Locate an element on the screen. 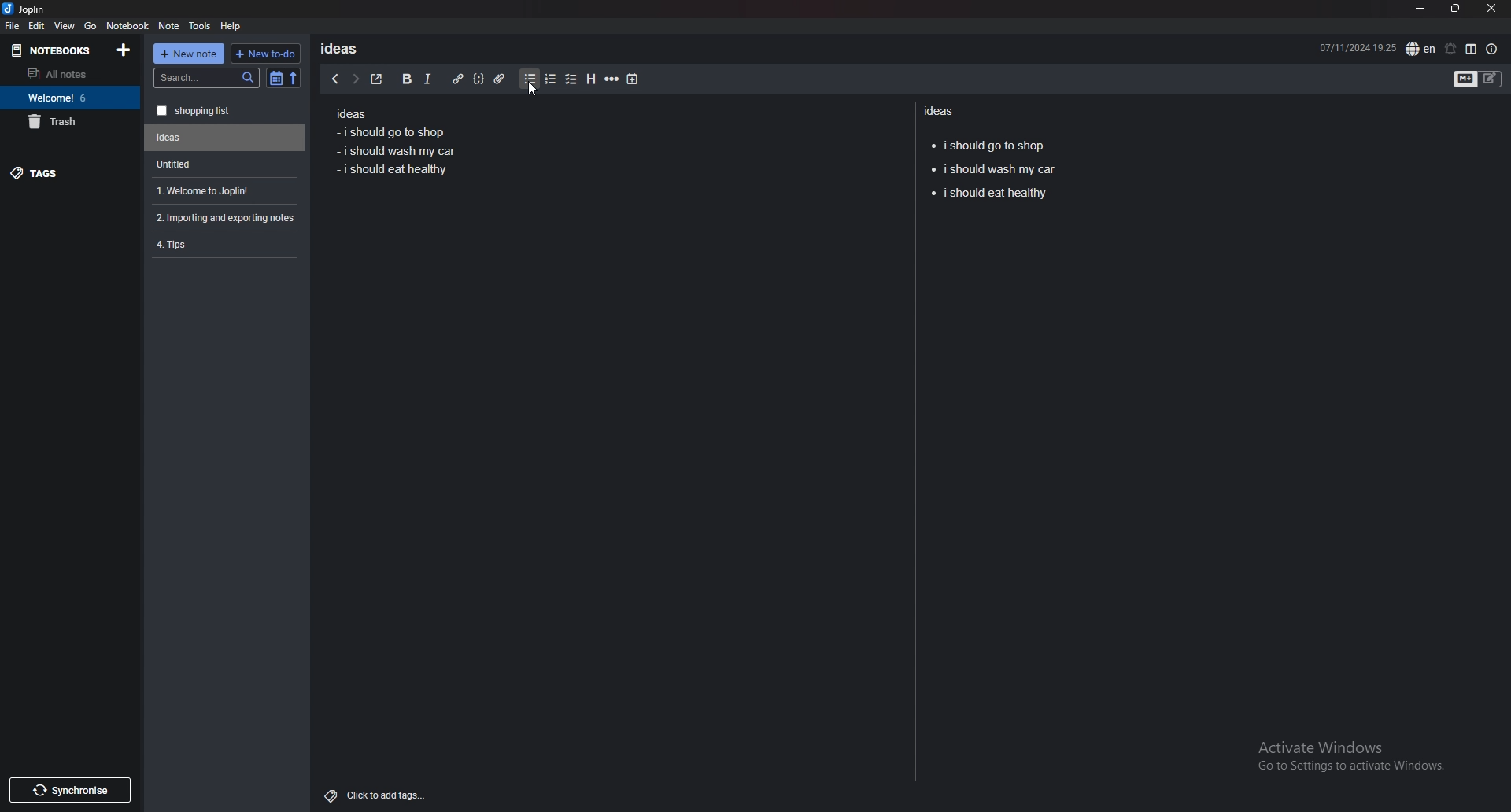  spell check is located at coordinates (1420, 49).